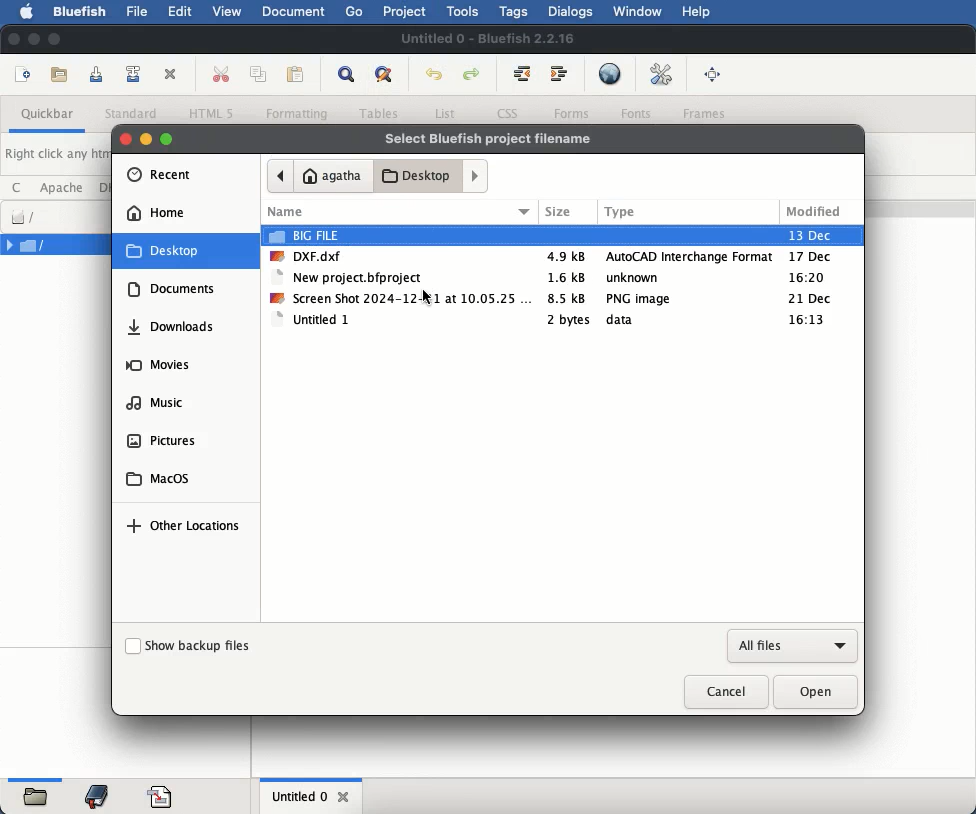 The image size is (976, 814). Describe the element at coordinates (56, 245) in the screenshot. I see `file` at that location.